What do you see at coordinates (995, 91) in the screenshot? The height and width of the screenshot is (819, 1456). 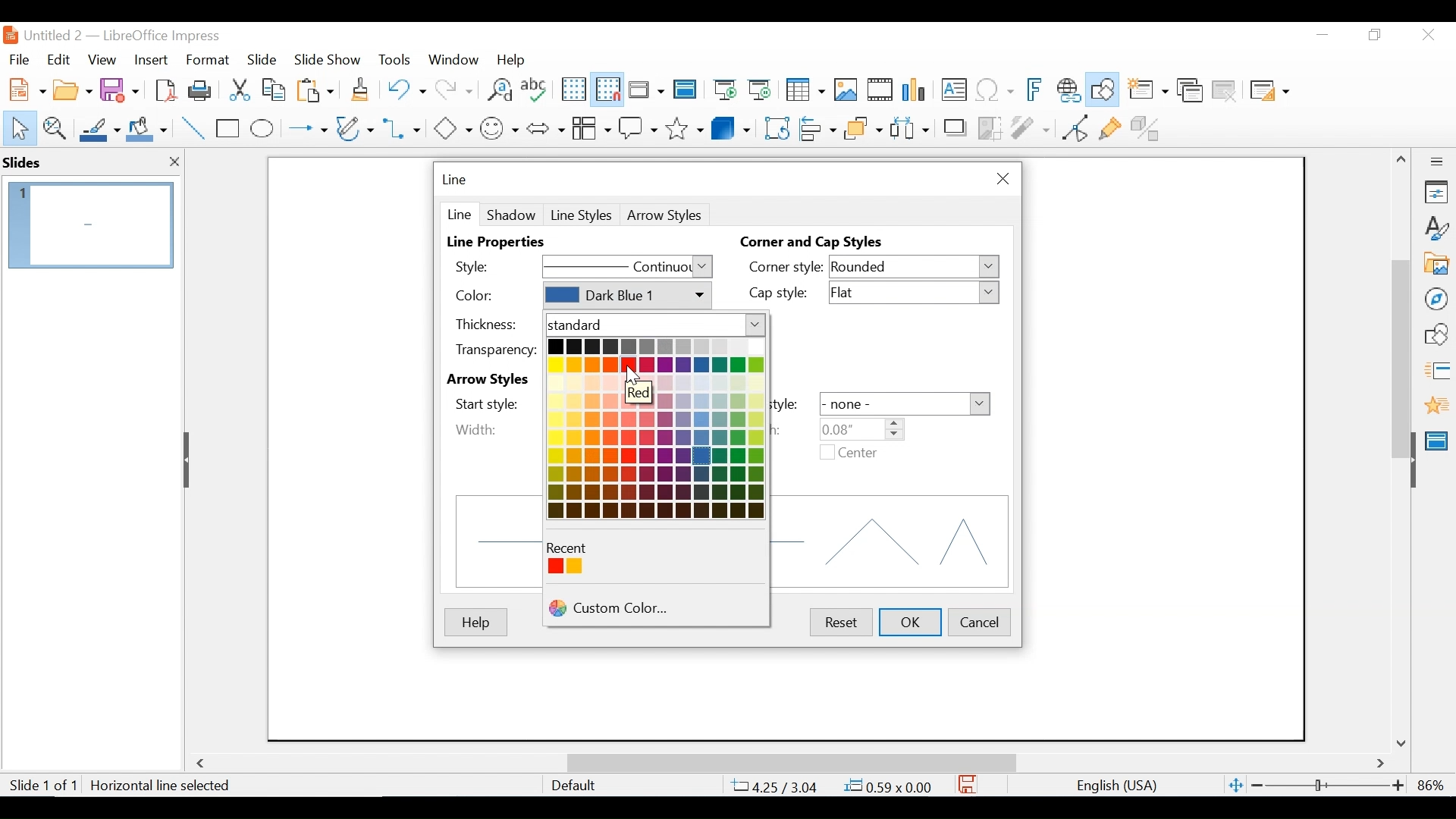 I see `Insert Special Characters` at bounding box center [995, 91].